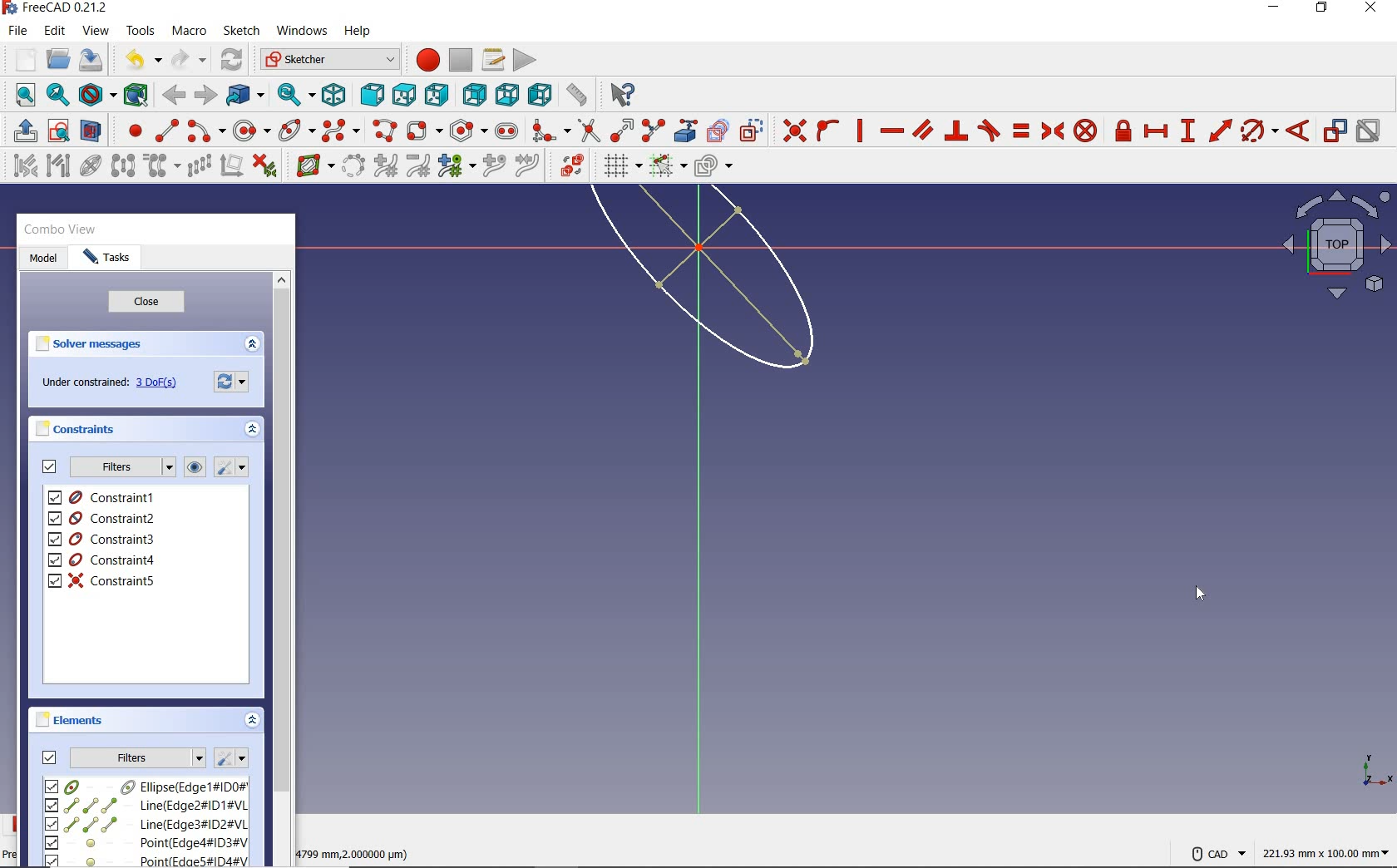 The image size is (1397, 868). Describe the element at coordinates (1327, 851) in the screenshot. I see `measurement` at that location.